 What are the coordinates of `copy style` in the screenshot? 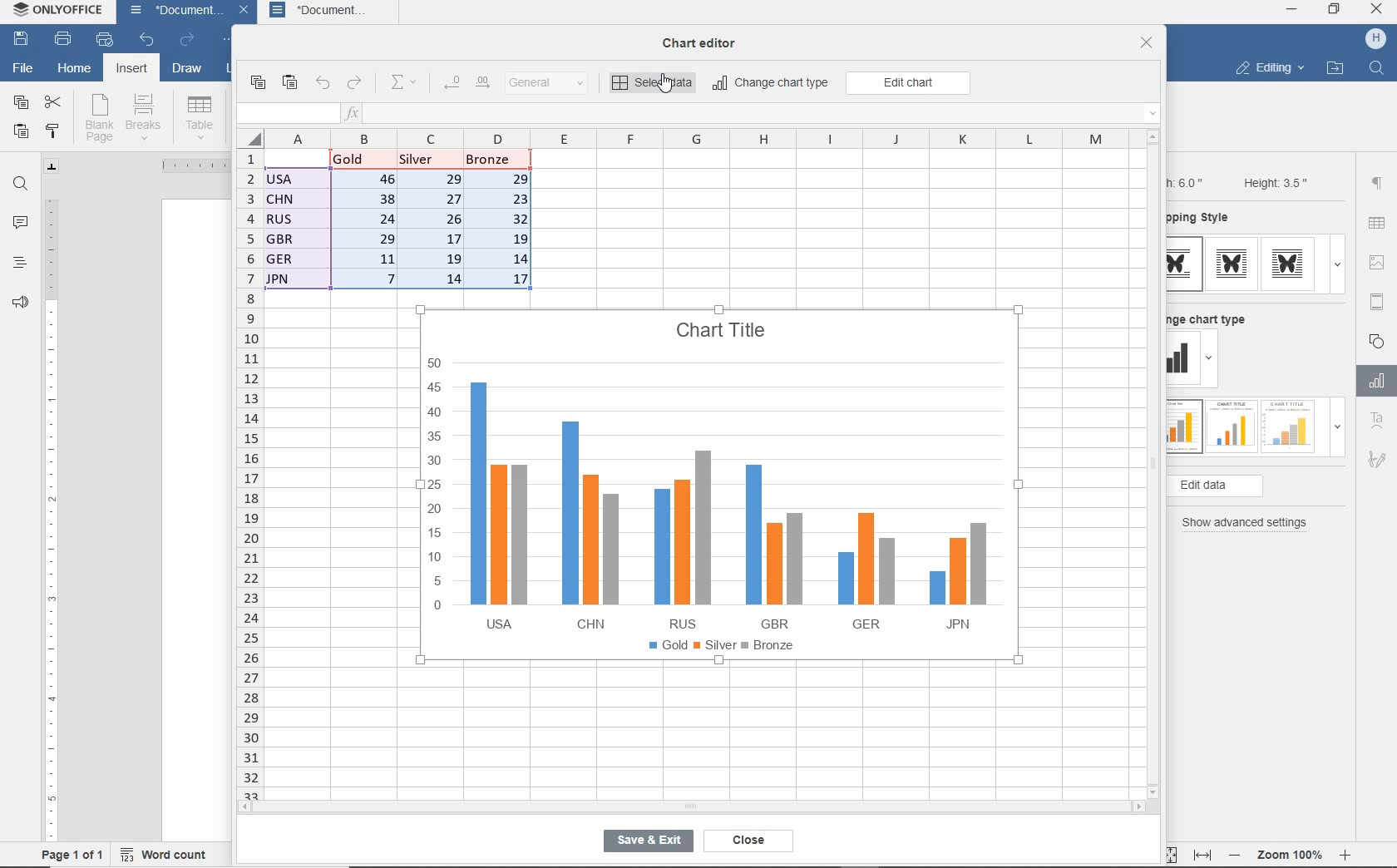 It's located at (54, 131).